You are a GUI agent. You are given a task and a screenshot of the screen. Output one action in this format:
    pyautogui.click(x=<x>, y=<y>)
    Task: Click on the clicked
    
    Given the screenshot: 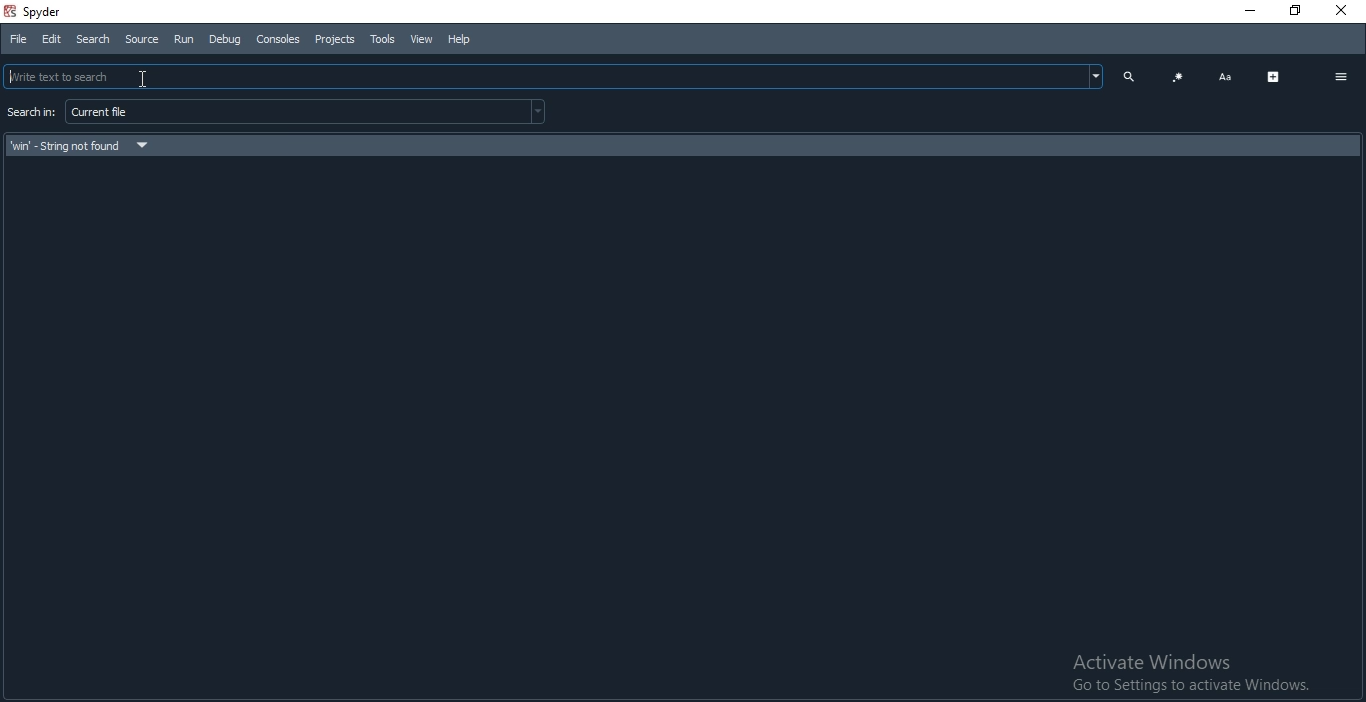 What is the action you would take?
    pyautogui.click(x=553, y=77)
    